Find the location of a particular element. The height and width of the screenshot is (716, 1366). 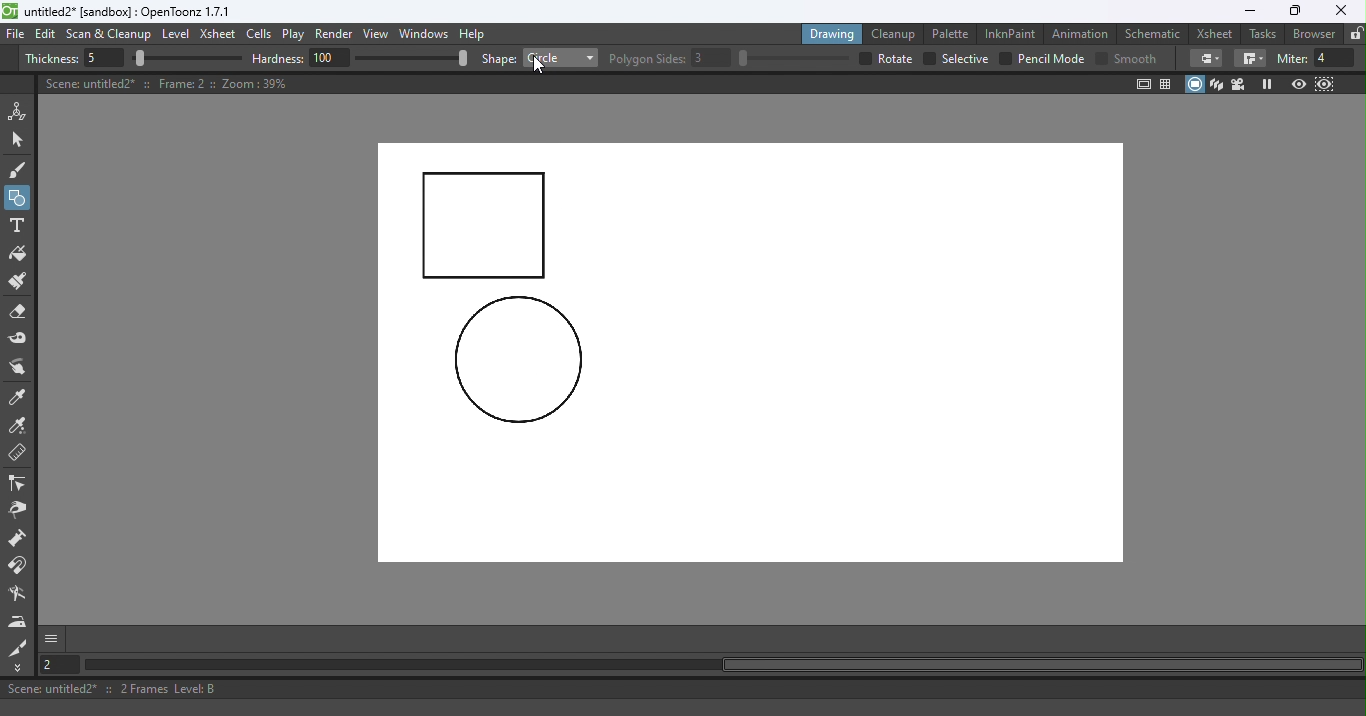

Play is located at coordinates (297, 35).